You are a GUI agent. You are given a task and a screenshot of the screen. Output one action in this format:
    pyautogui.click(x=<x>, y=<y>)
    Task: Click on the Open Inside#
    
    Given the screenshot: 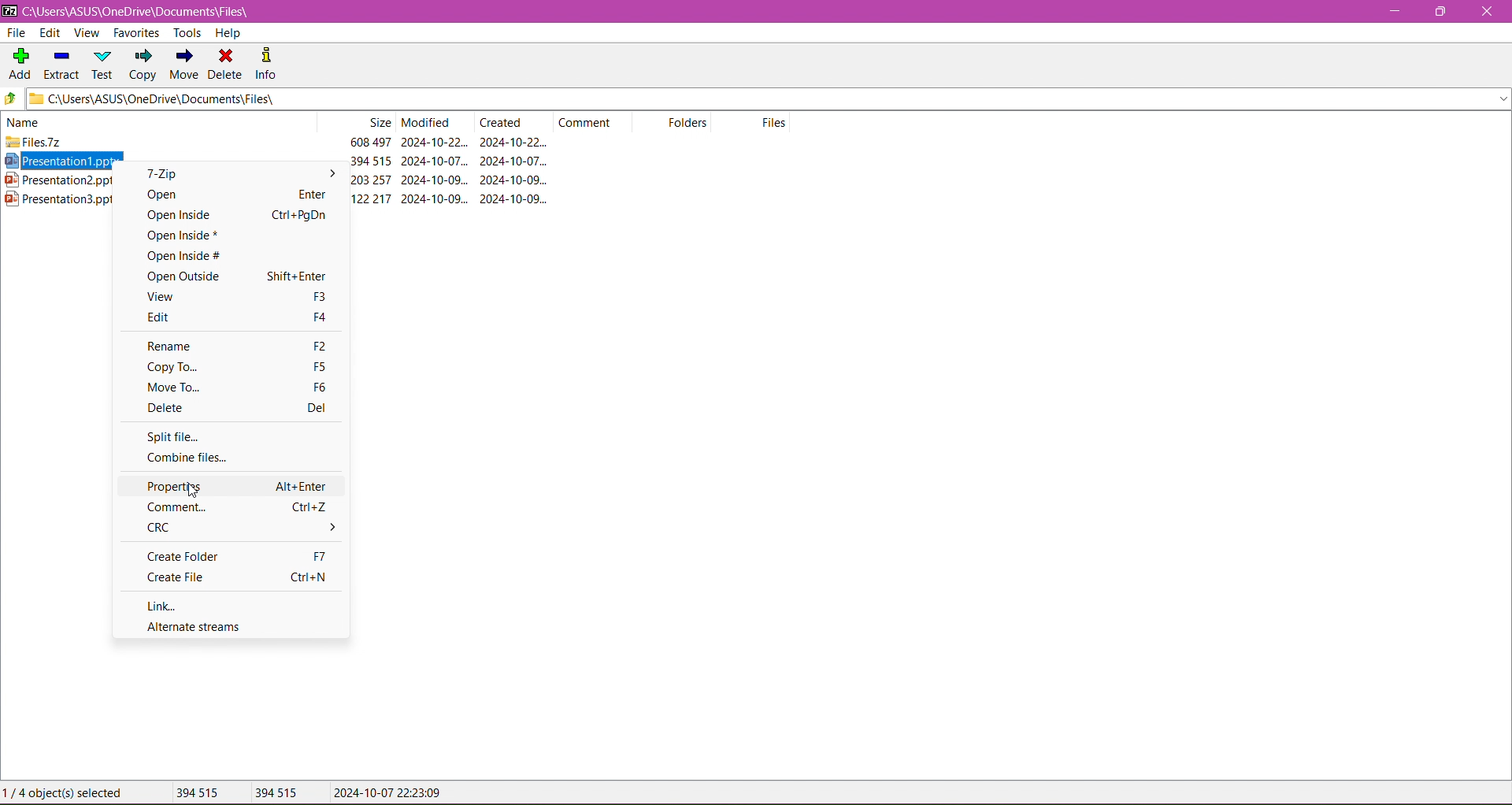 What is the action you would take?
    pyautogui.click(x=223, y=255)
    